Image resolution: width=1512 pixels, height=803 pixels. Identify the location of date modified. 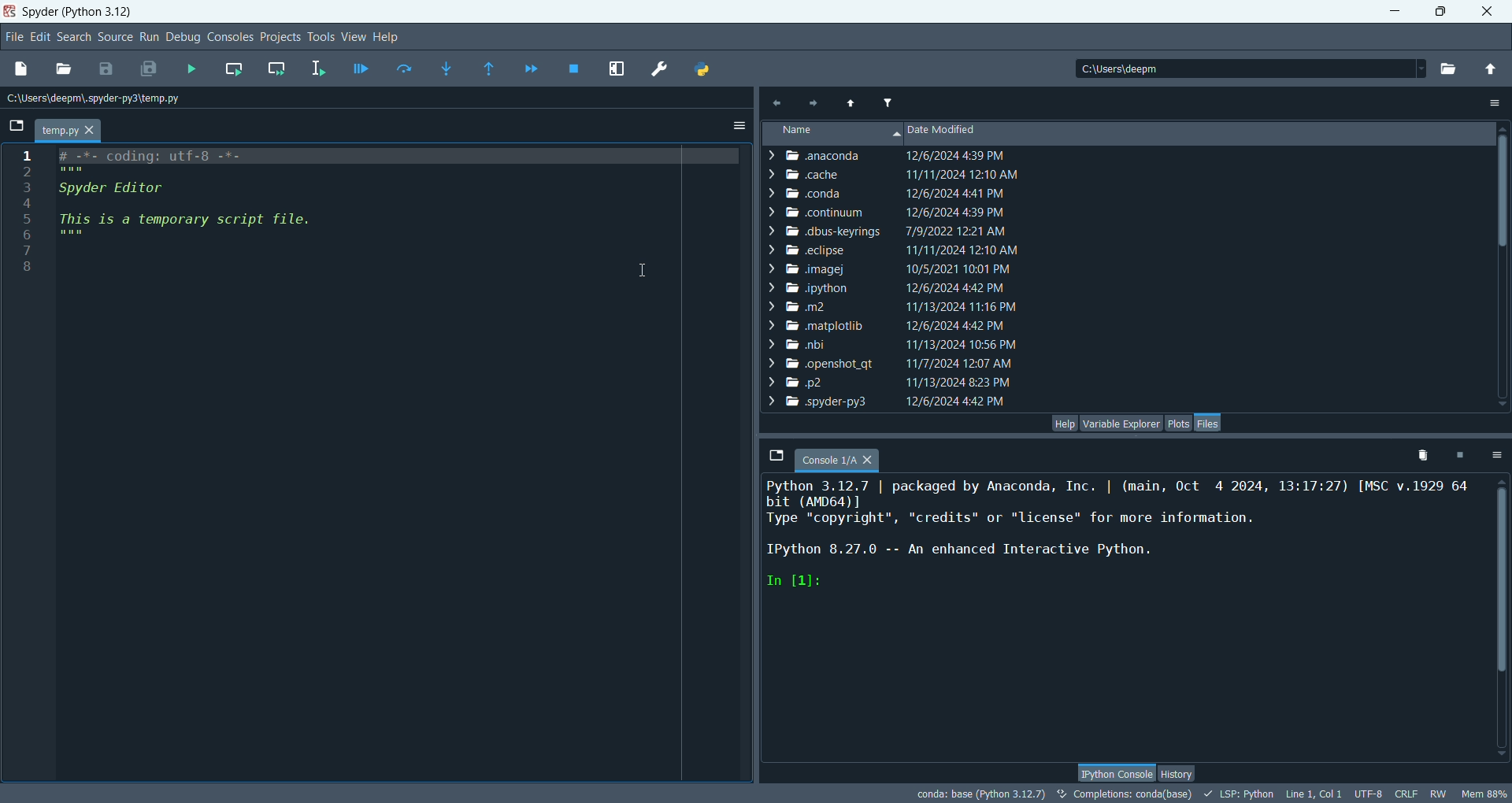
(962, 279).